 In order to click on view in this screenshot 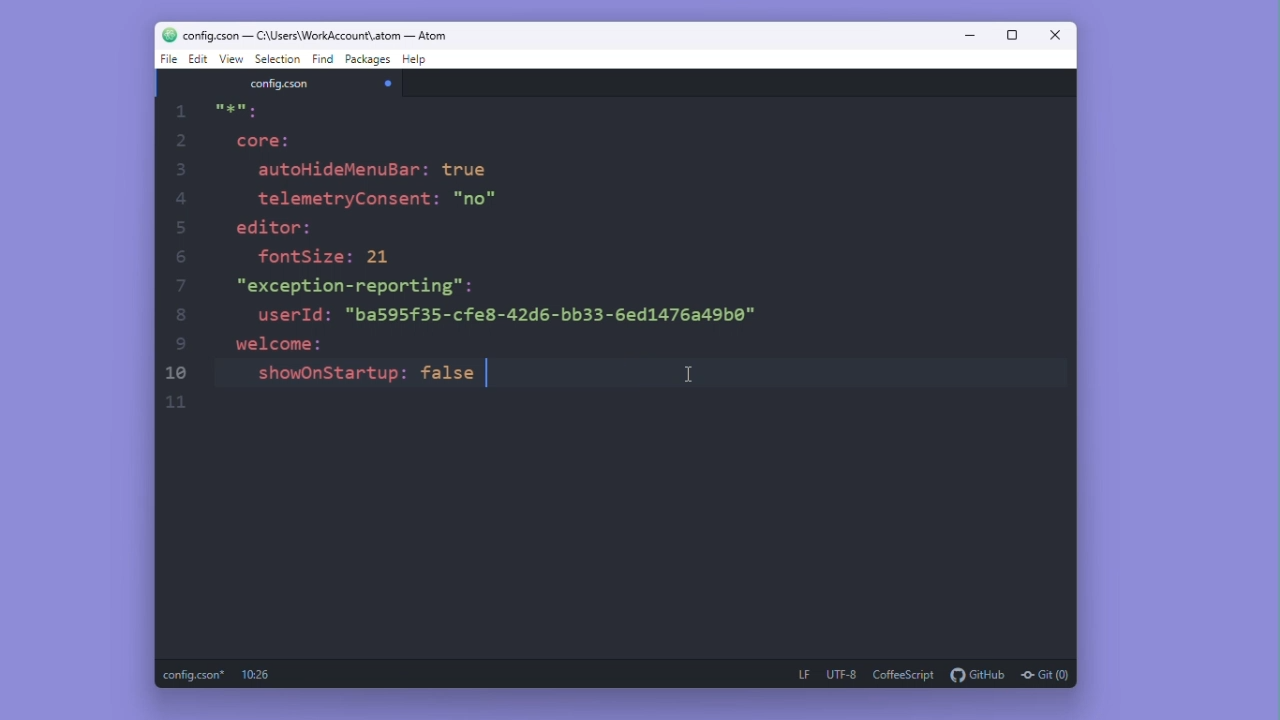, I will do `click(233, 59)`.